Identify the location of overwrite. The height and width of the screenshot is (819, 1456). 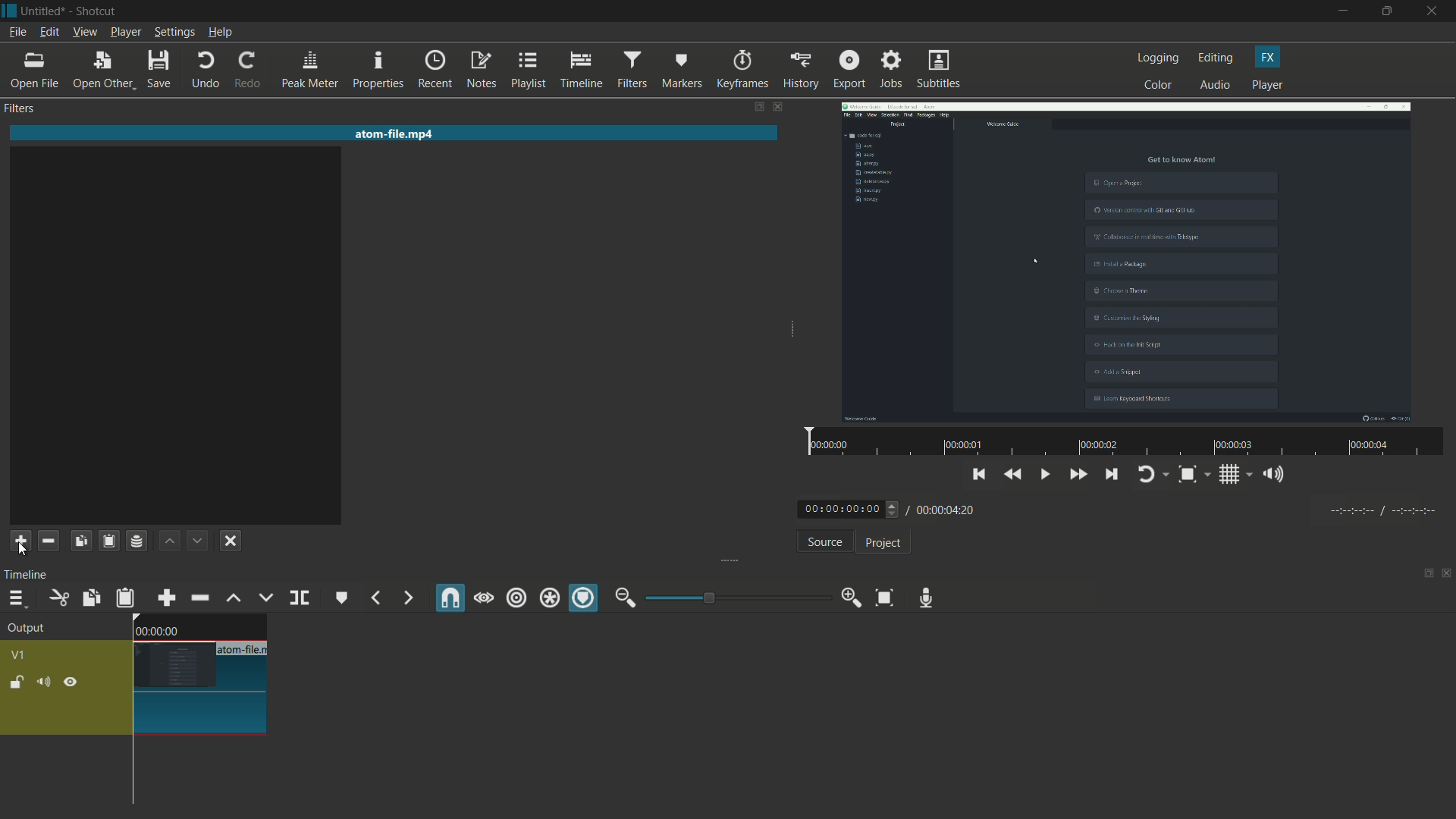
(263, 598).